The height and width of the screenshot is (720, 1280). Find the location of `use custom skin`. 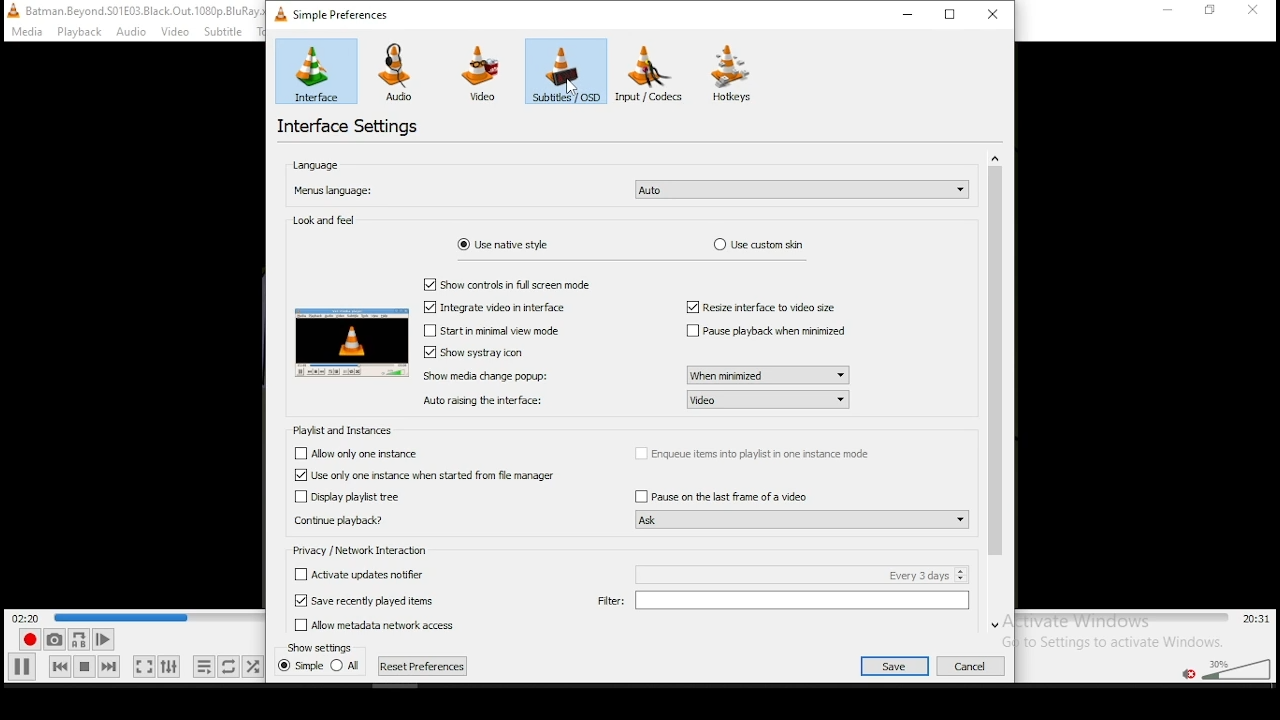

use custom skin is located at coordinates (760, 242).